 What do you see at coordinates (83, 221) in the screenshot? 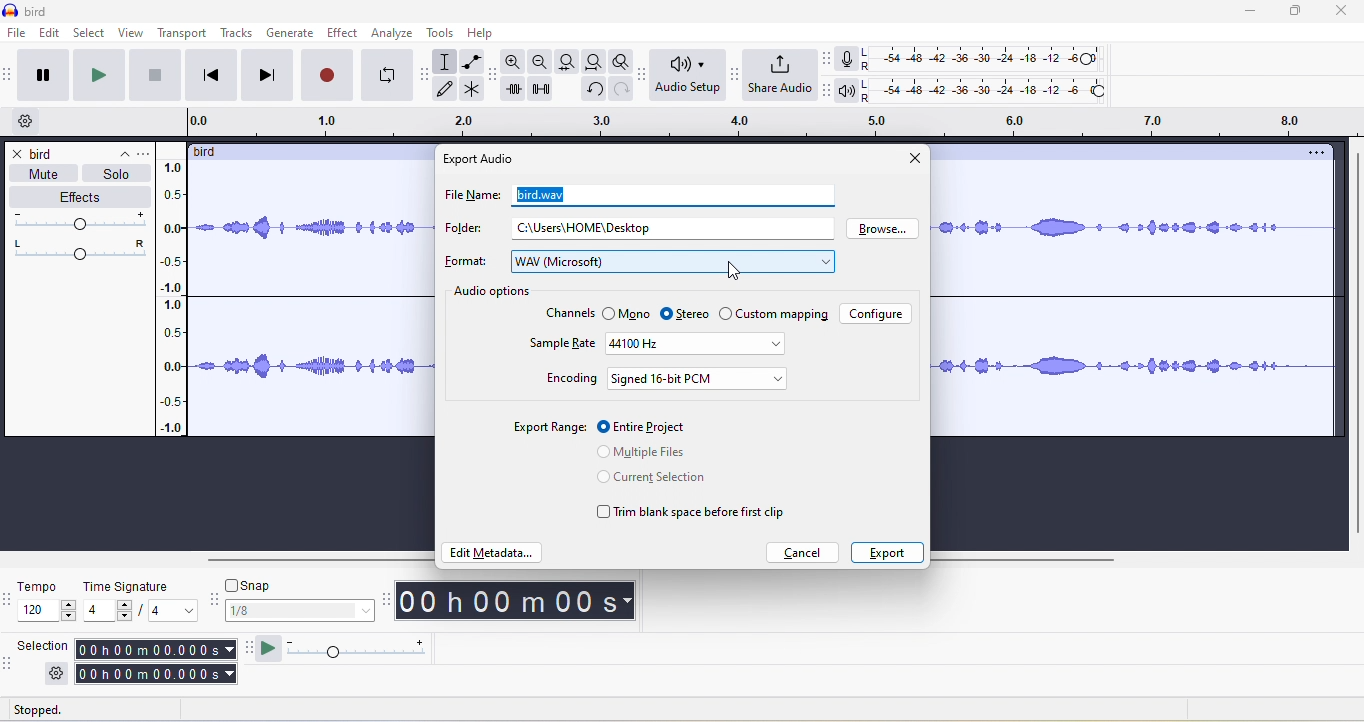
I see `volume` at bounding box center [83, 221].